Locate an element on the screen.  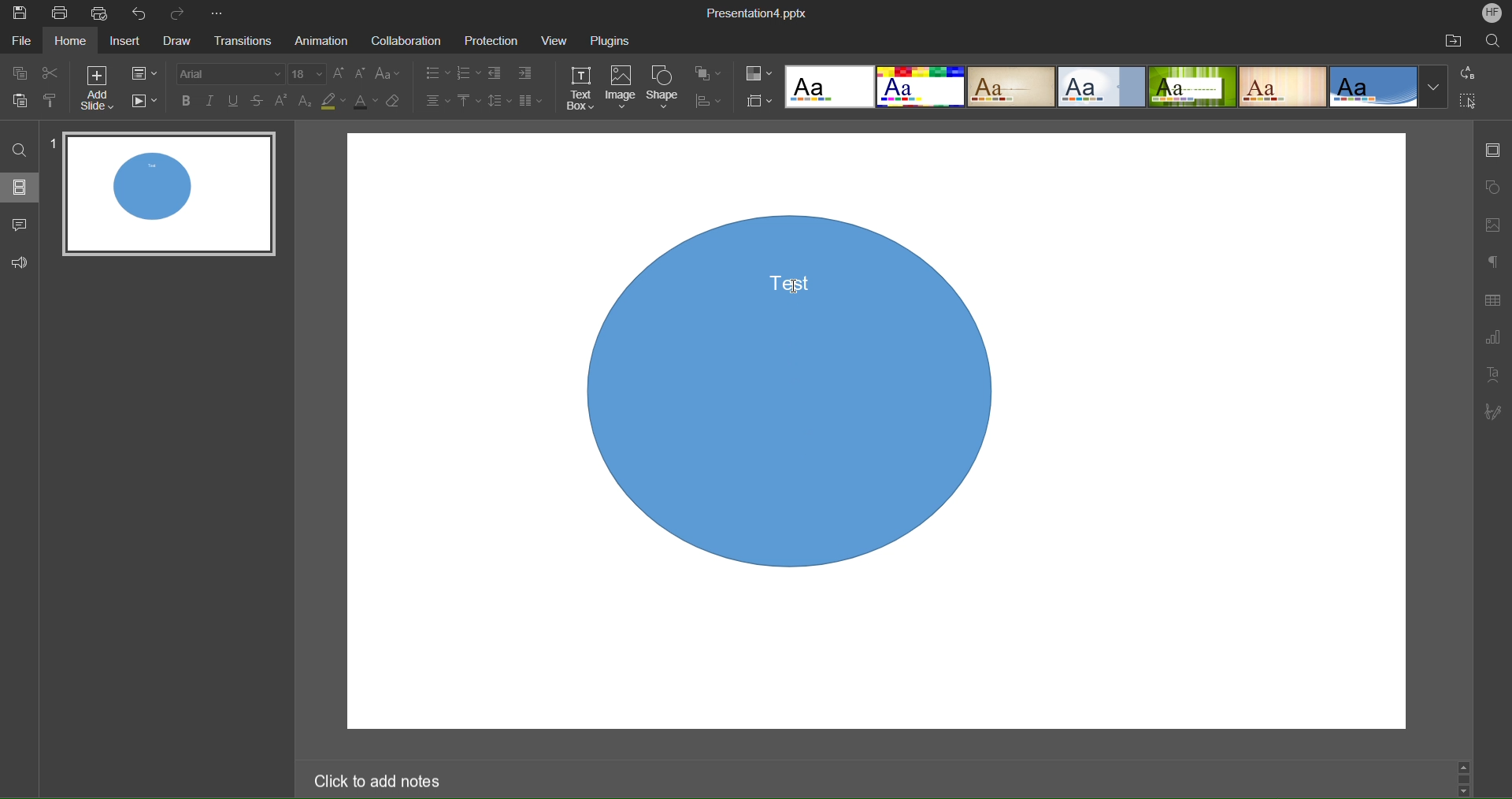
Feedback and Support is located at coordinates (22, 261).